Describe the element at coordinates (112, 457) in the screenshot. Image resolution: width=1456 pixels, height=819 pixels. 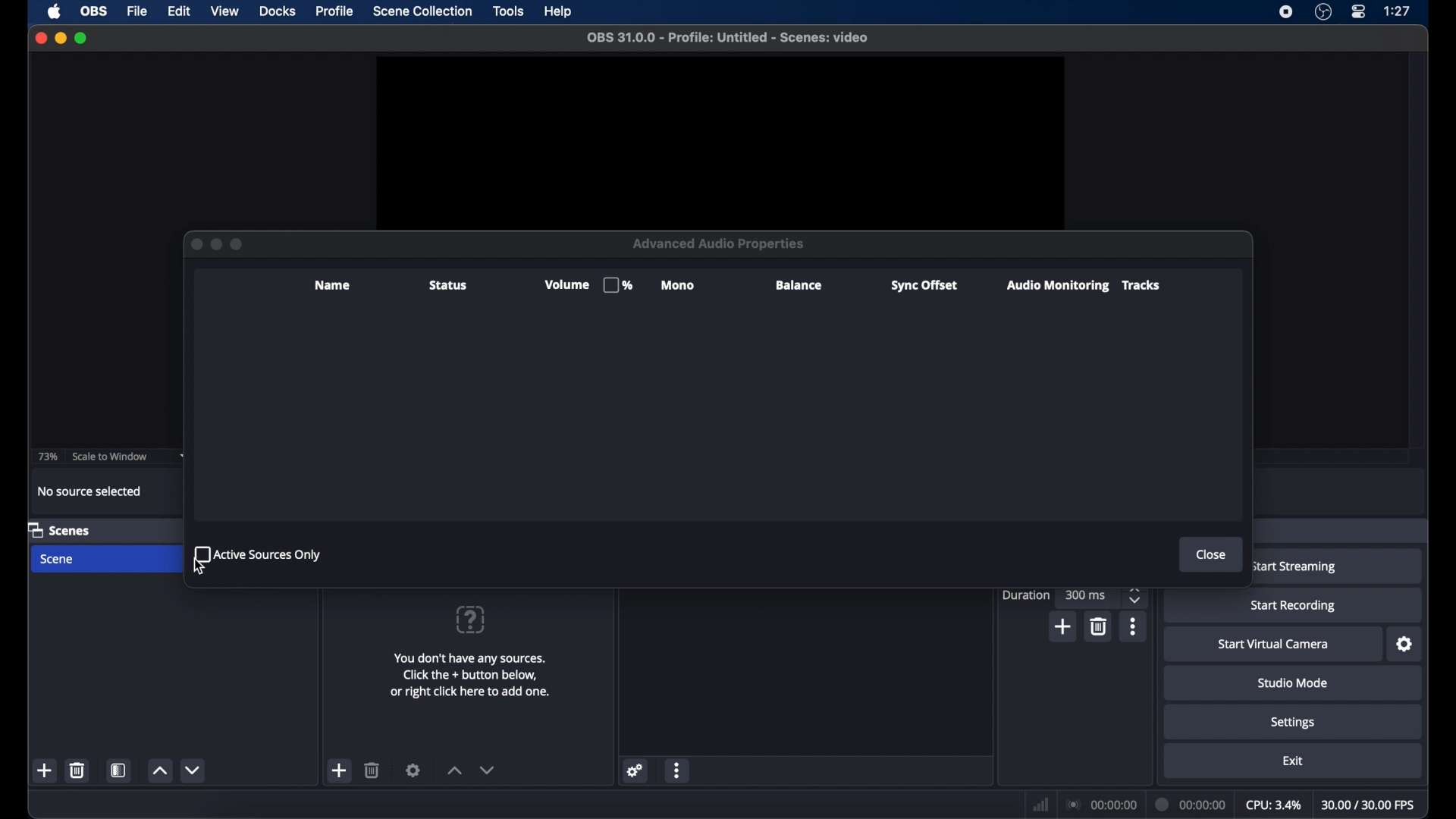
I see `scale to window` at that location.